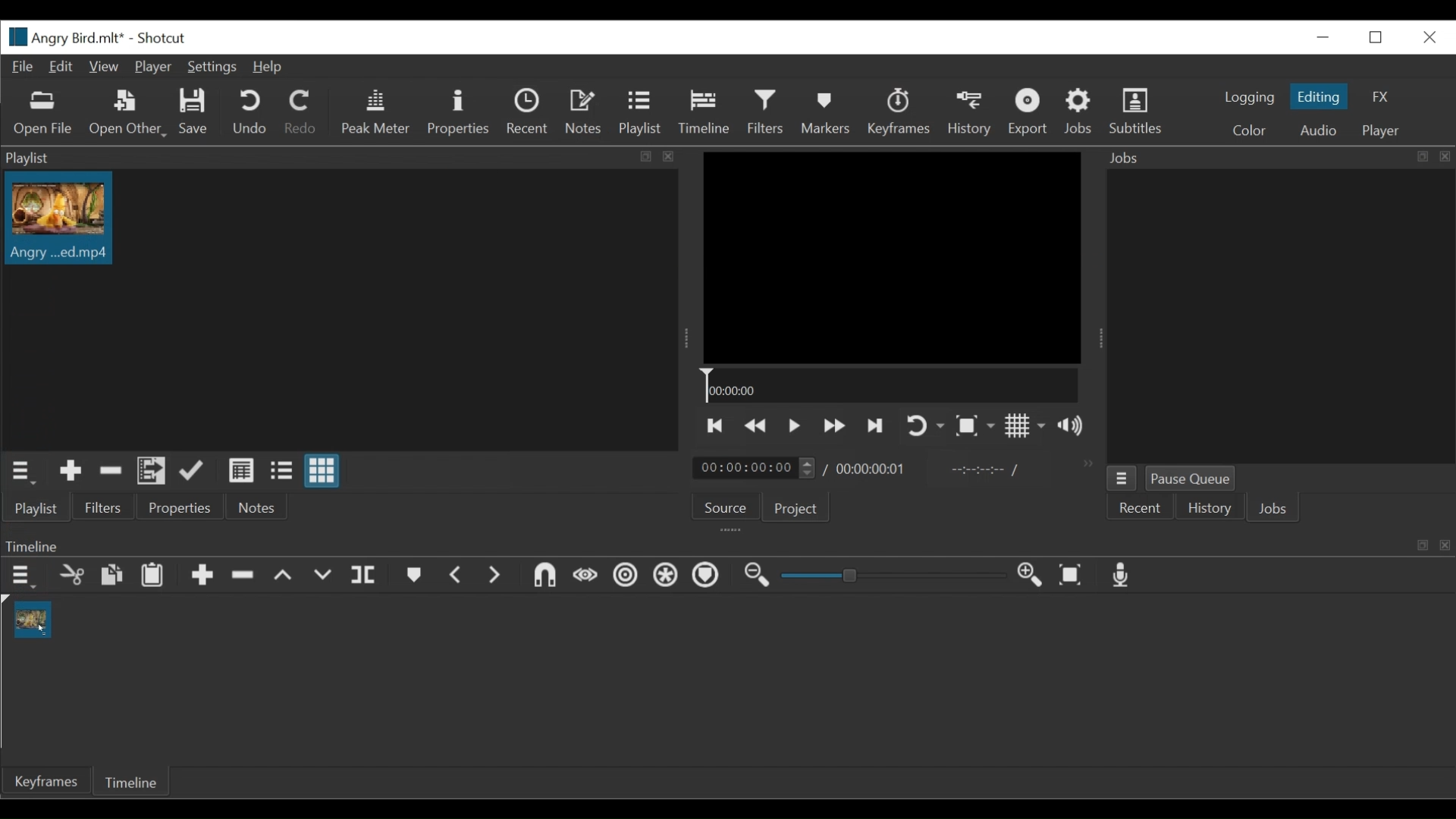 The height and width of the screenshot is (819, 1456). I want to click on Clip, so click(58, 218).